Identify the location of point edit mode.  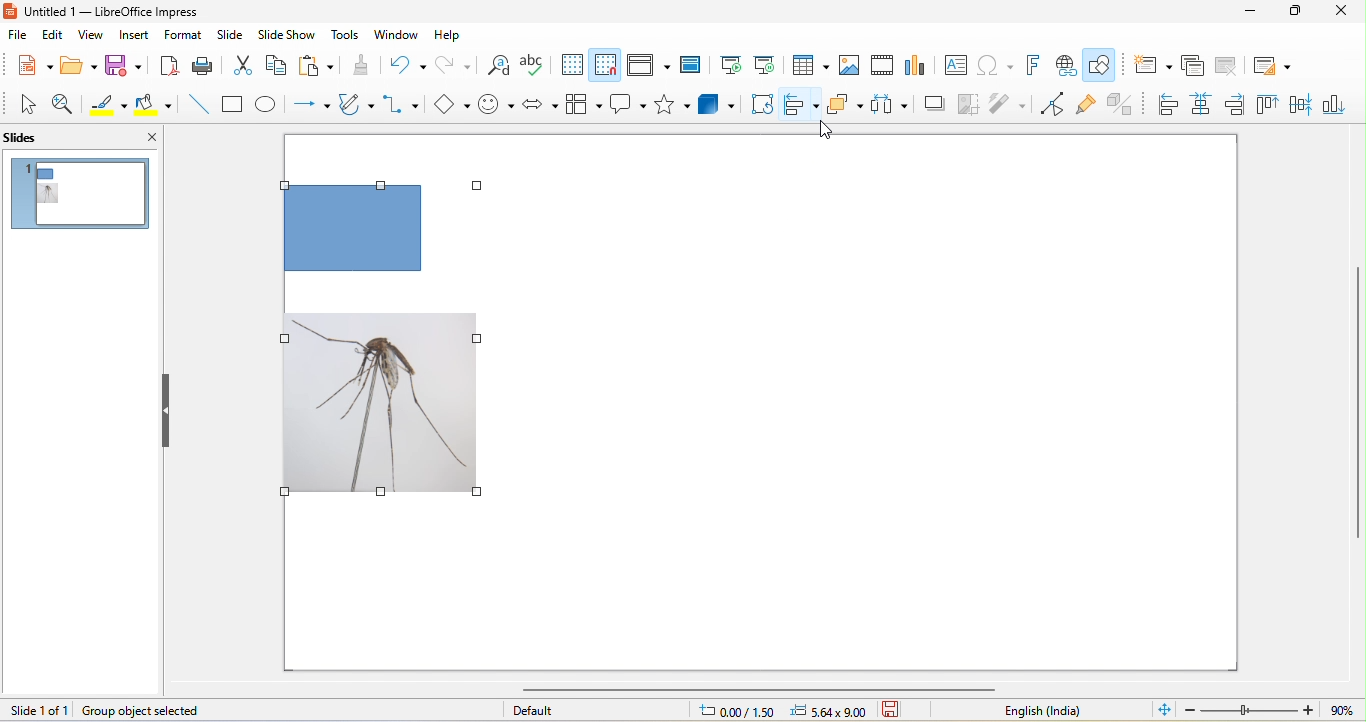
(1052, 105).